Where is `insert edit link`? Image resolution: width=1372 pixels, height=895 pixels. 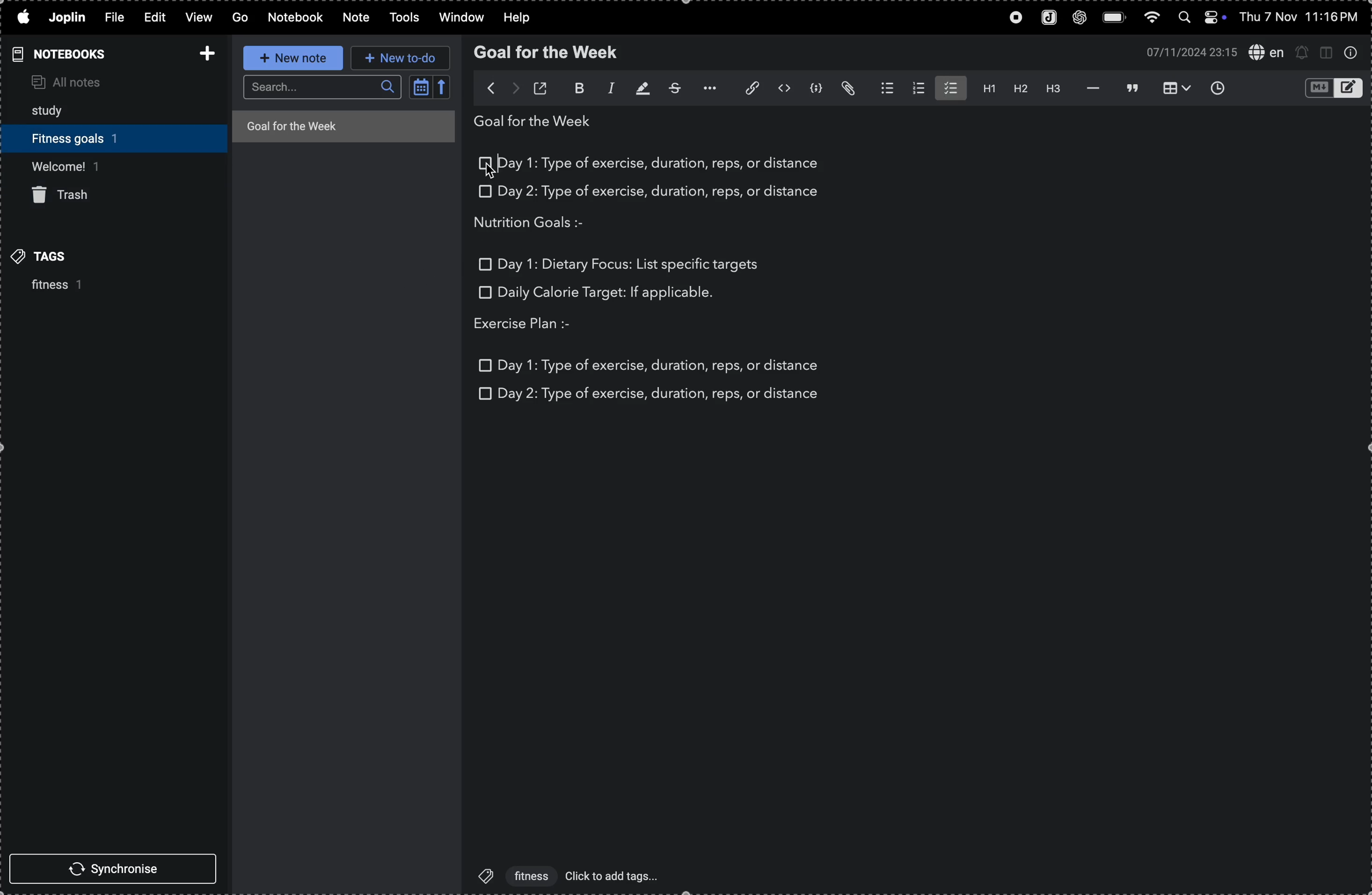 insert edit link is located at coordinates (745, 88).